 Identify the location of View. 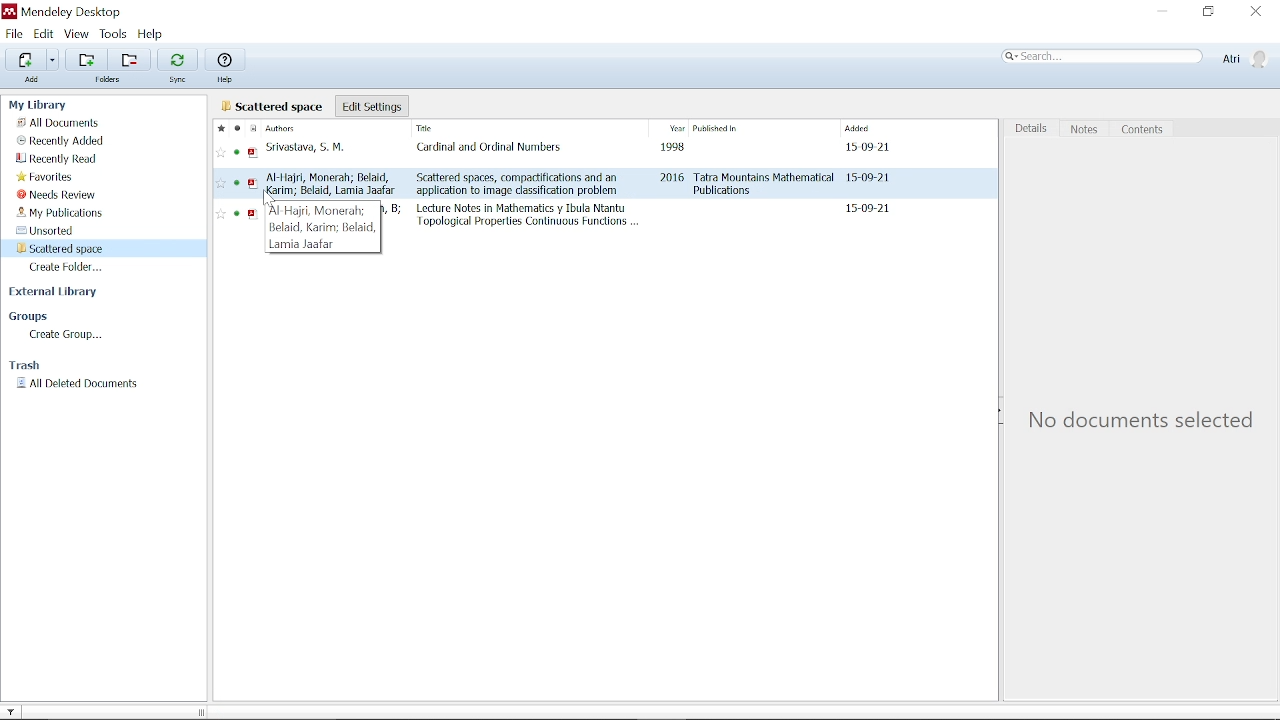
(77, 34).